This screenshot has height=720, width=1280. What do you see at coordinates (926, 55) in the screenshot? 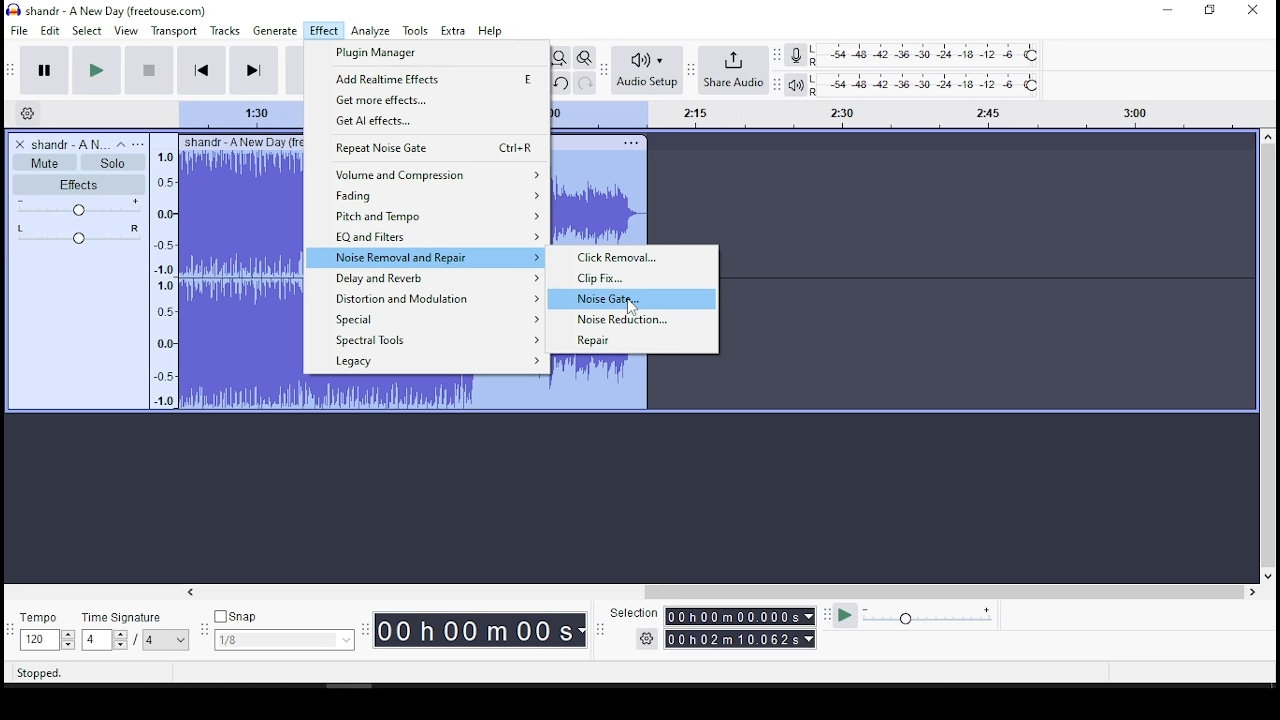
I see `recording level` at bounding box center [926, 55].